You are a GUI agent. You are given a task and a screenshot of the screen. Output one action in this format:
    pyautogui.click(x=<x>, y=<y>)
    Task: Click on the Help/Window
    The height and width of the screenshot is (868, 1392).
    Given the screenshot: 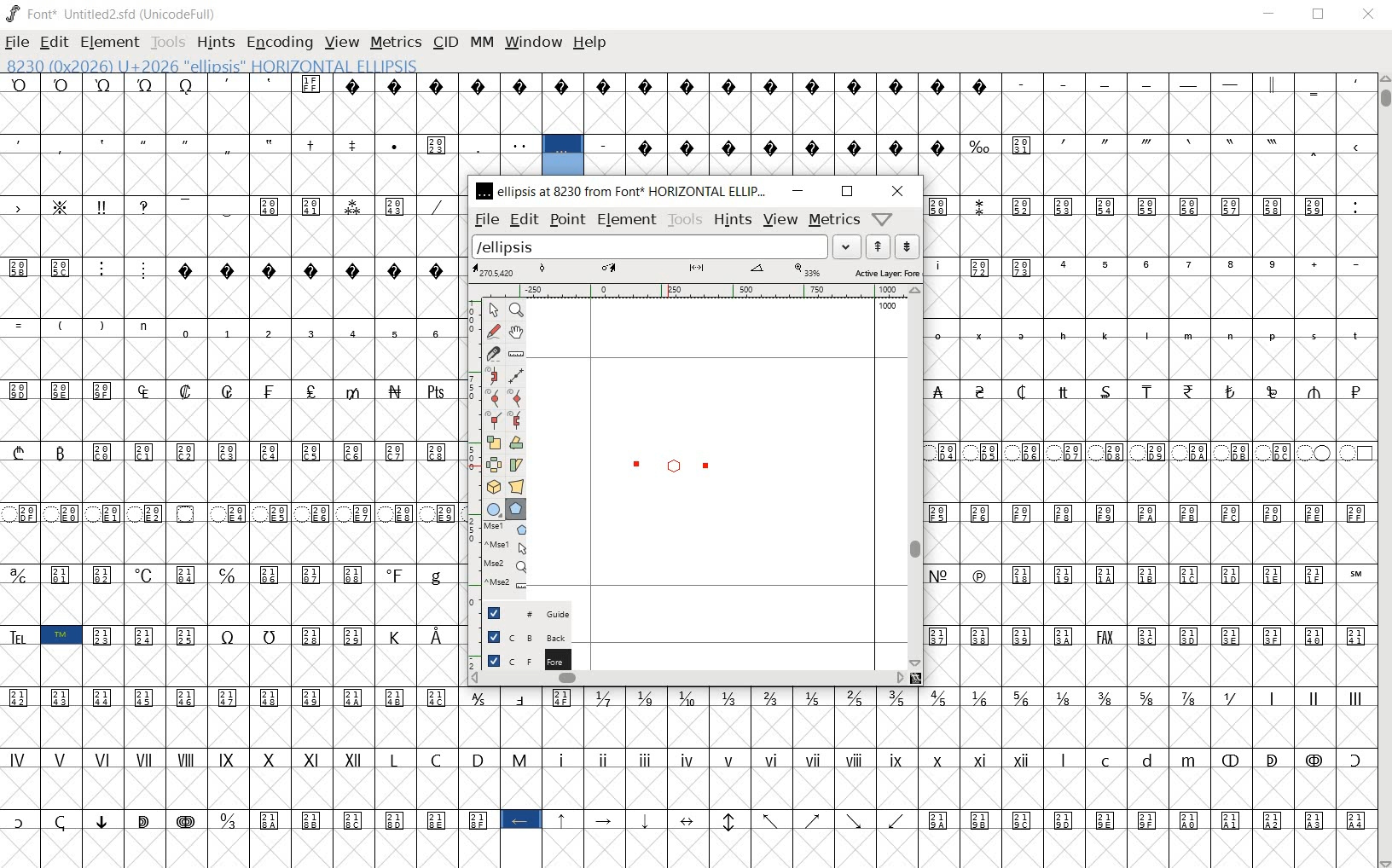 What is the action you would take?
    pyautogui.click(x=881, y=219)
    